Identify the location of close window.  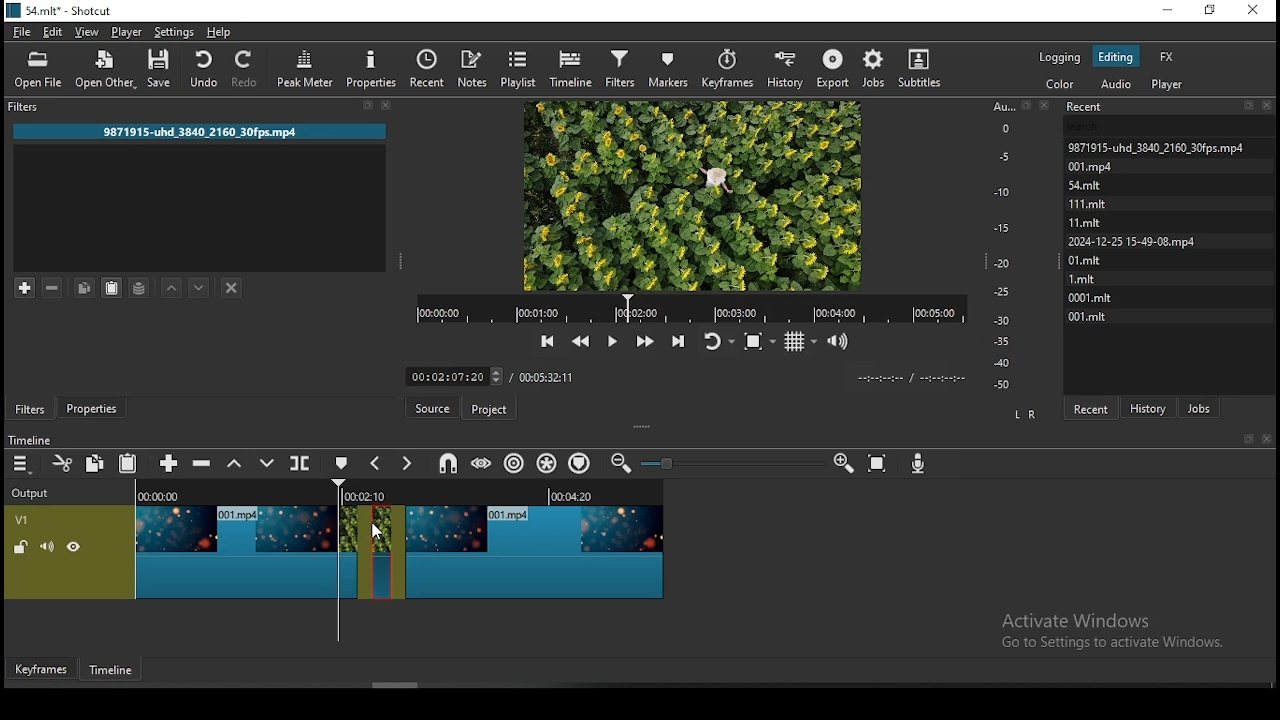
(1251, 11).